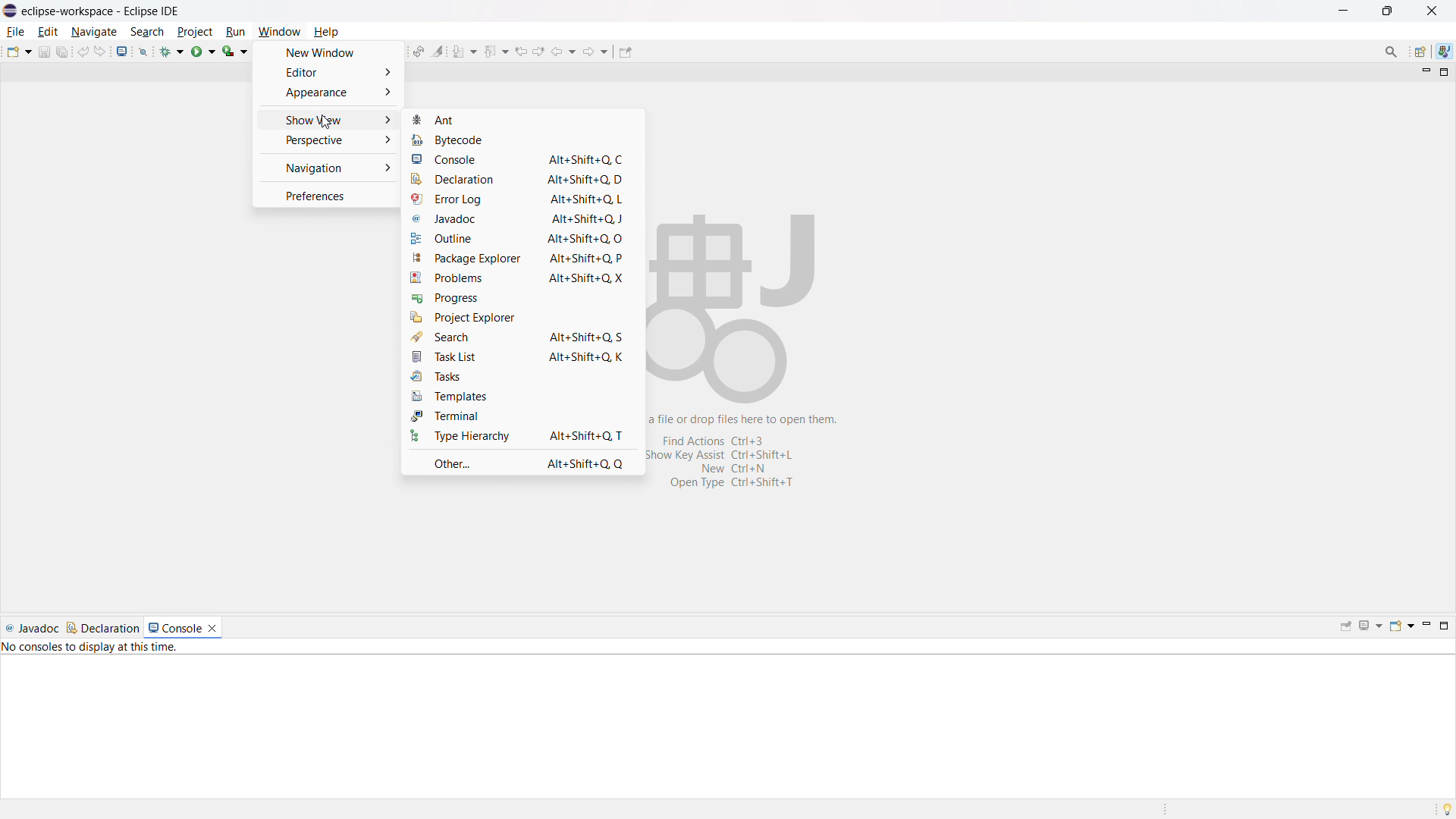 Image resolution: width=1456 pixels, height=819 pixels. What do you see at coordinates (1431, 11) in the screenshot?
I see `close` at bounding box center [1431, 11].